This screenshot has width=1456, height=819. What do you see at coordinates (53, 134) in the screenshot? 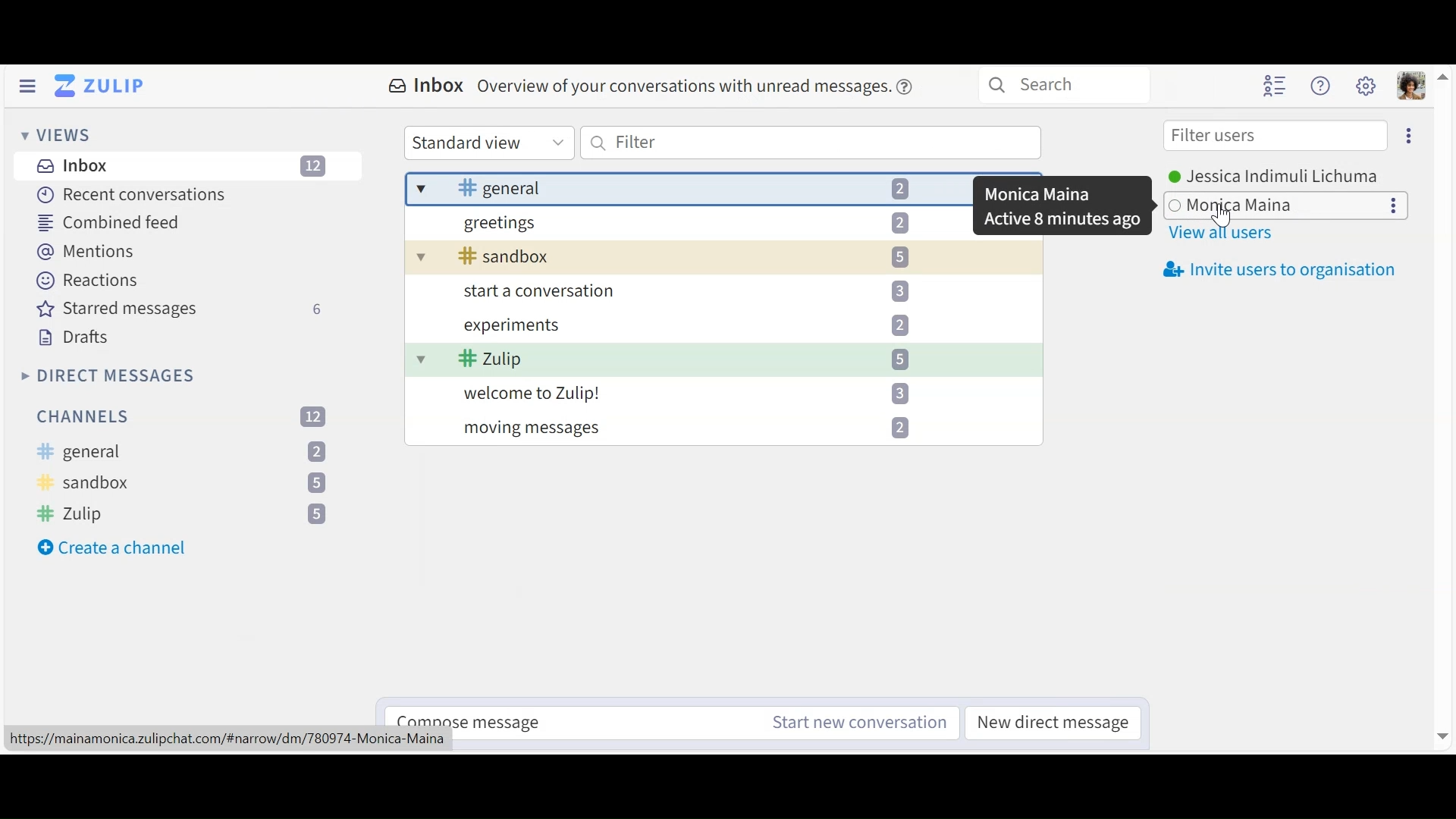
I see `View` at bounding box center [53, 134].